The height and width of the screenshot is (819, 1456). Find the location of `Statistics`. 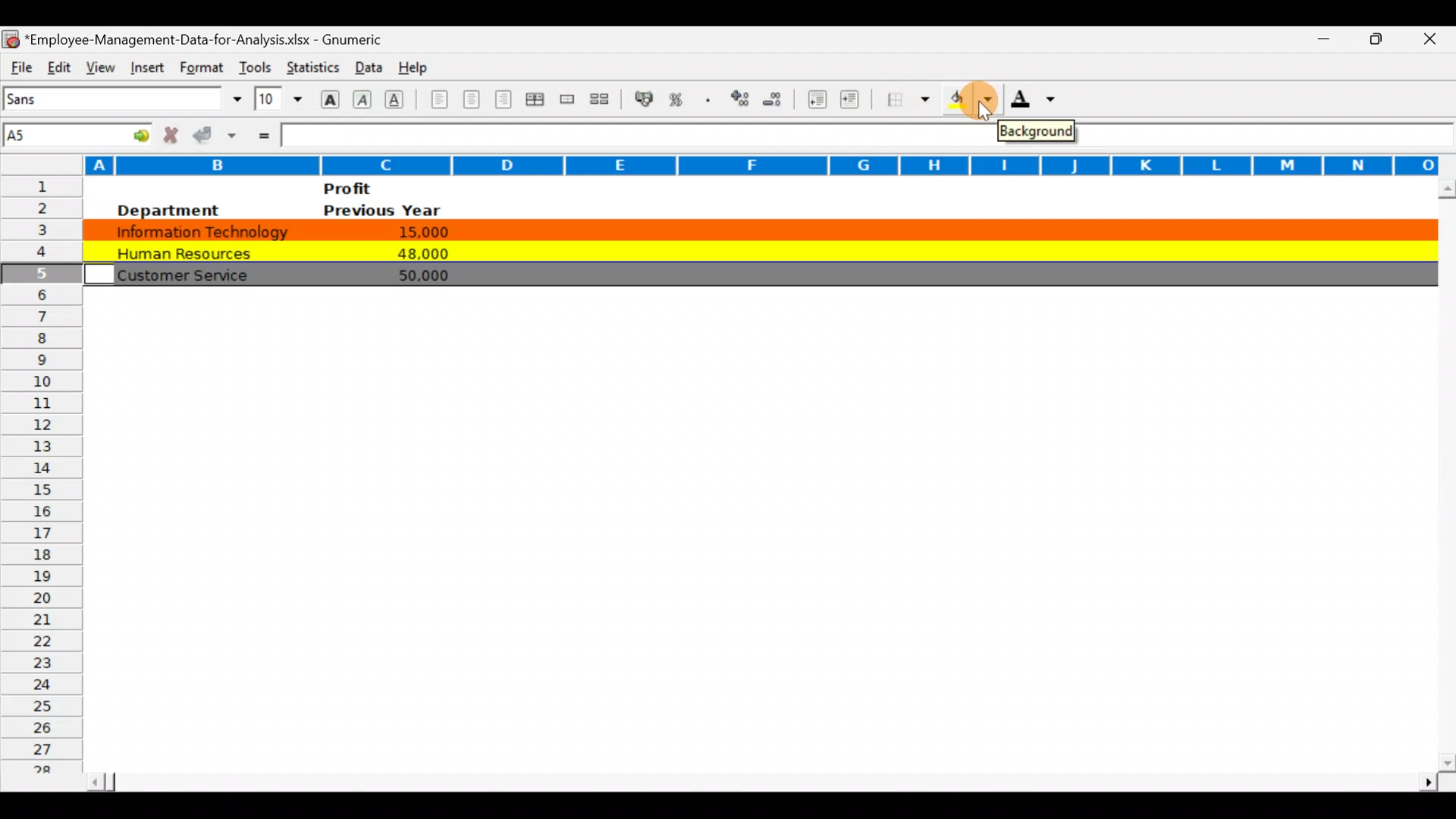

Statistics is located at coordinates (311, 64).